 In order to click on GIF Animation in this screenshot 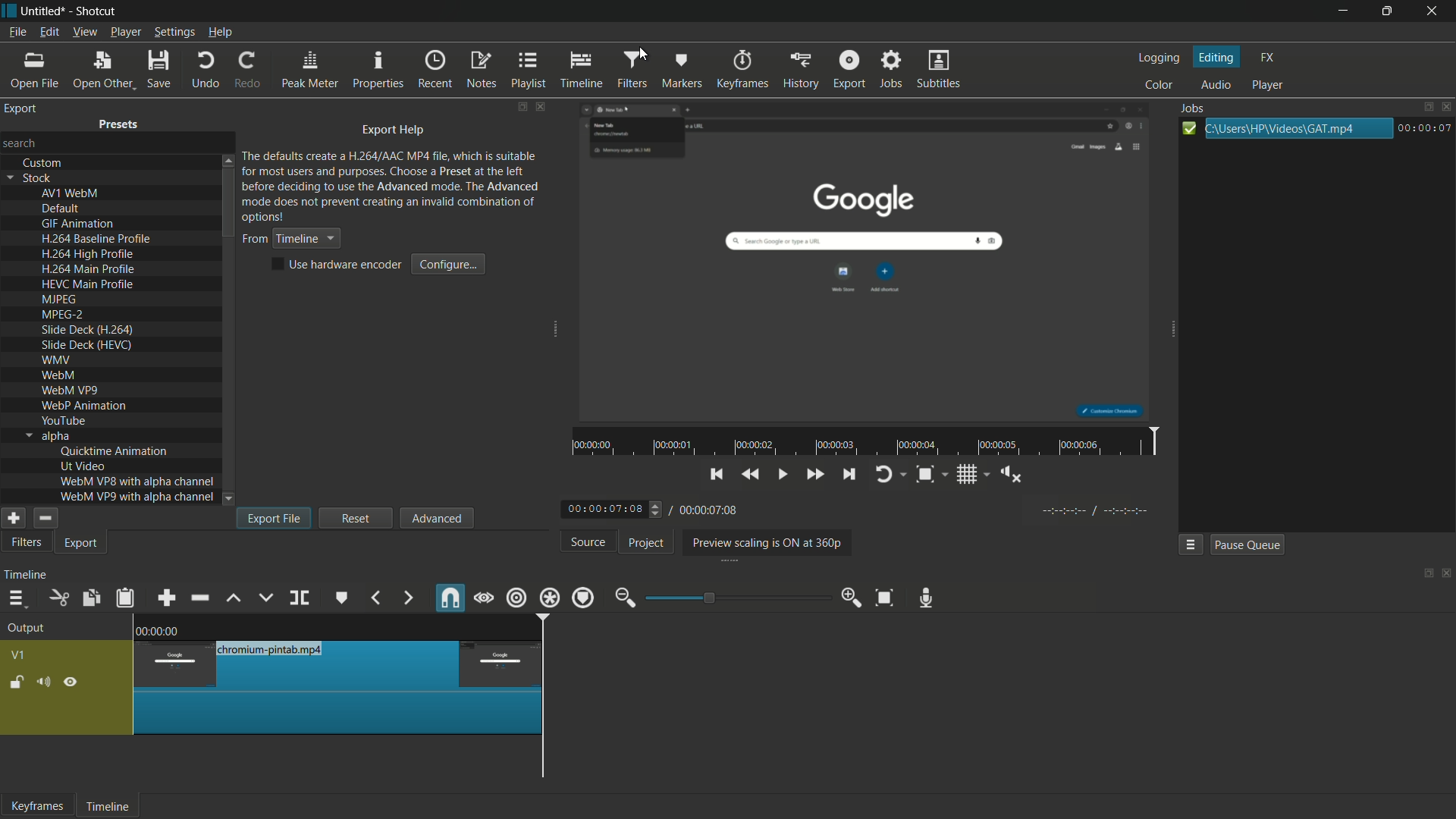, I will do `click(78, 224)`.